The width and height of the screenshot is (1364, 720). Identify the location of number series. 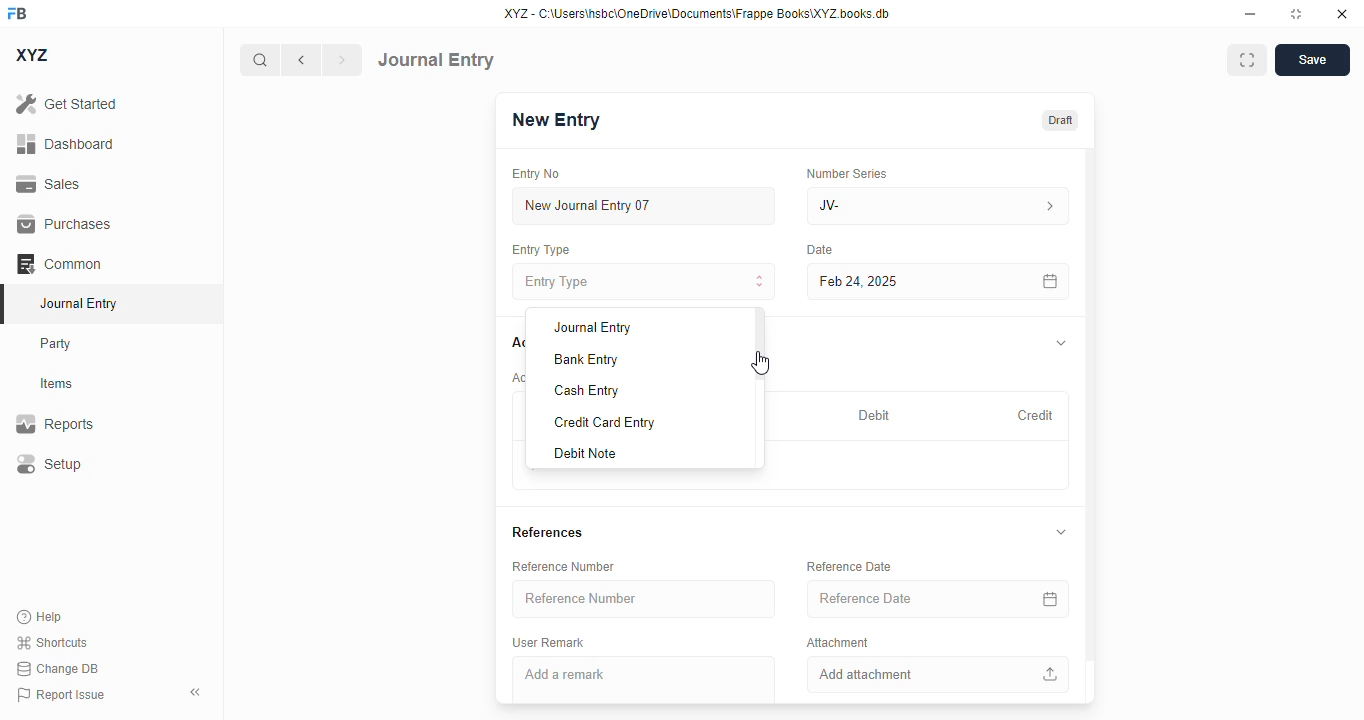
(849, 173).